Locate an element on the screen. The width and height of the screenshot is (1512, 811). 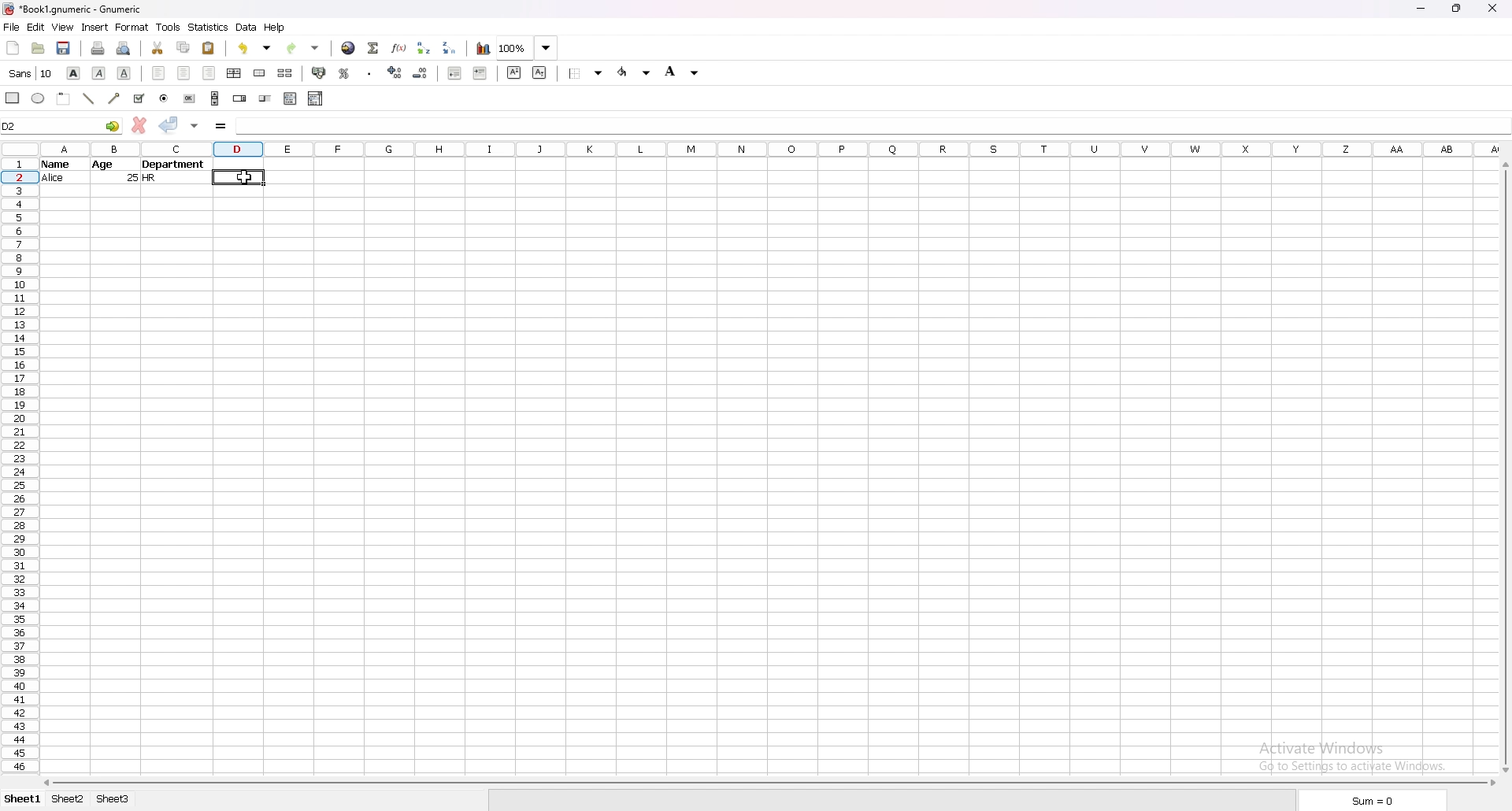
split merged cells is located at coordinates (284, 73).